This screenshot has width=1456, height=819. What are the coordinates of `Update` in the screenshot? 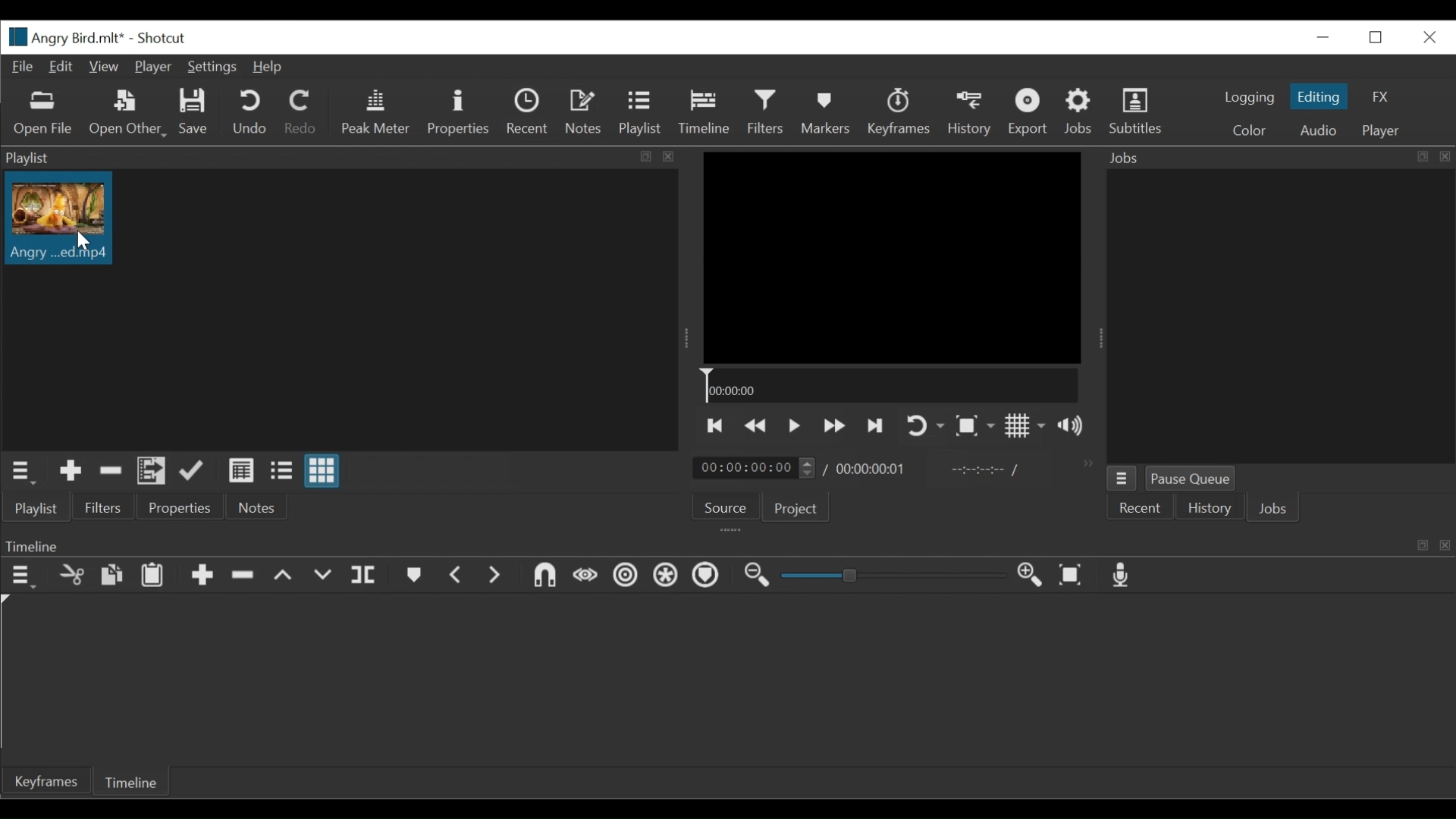 It's located at (193, 471).